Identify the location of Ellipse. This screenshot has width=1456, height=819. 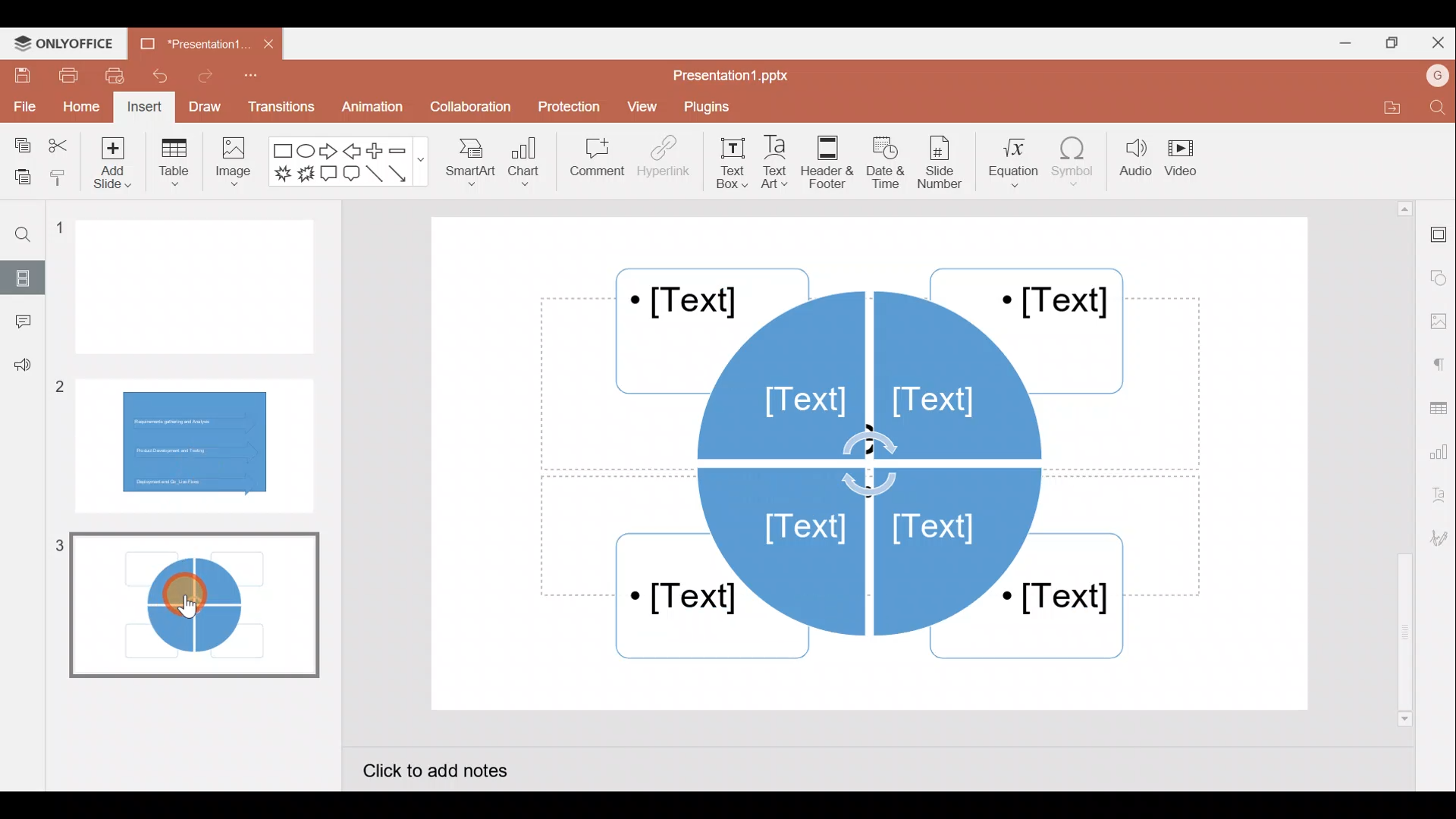
(305, 152).